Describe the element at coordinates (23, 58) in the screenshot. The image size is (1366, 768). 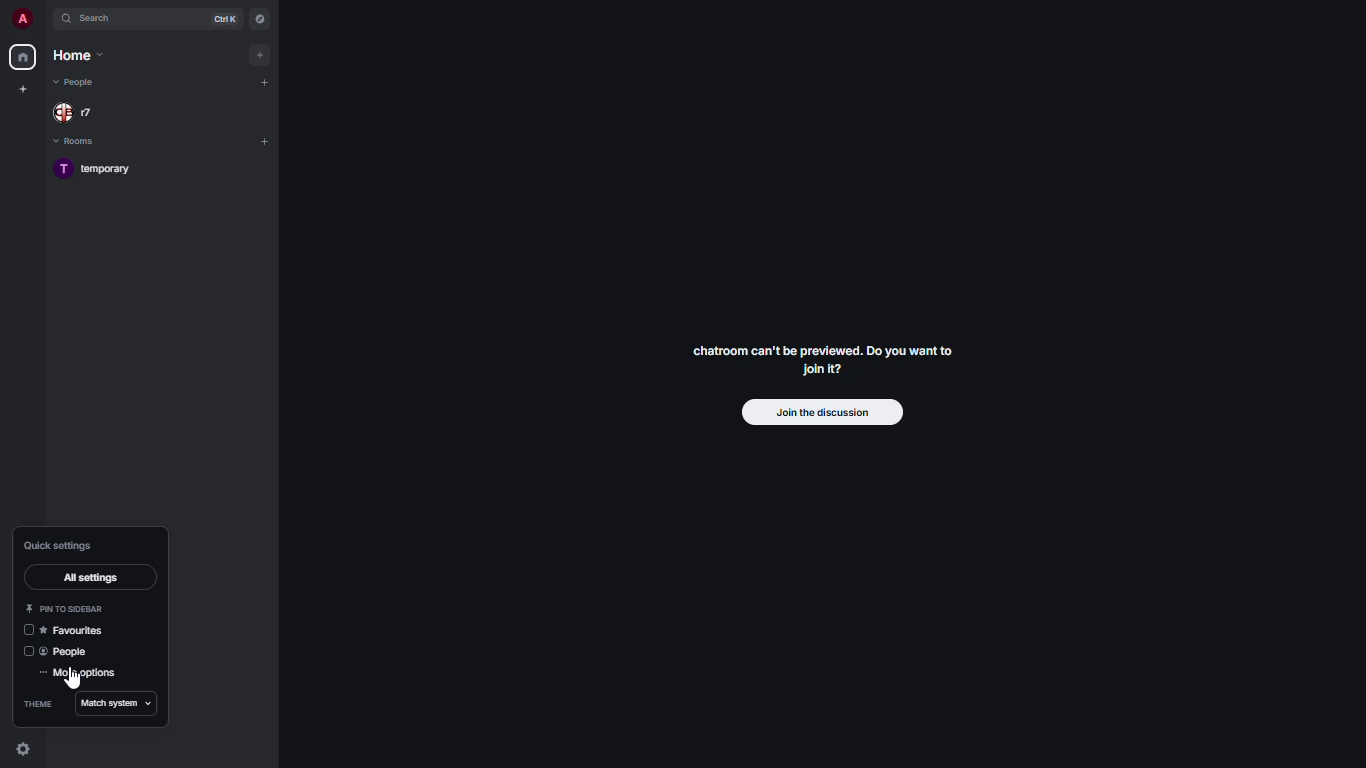
I see `home` at that location.